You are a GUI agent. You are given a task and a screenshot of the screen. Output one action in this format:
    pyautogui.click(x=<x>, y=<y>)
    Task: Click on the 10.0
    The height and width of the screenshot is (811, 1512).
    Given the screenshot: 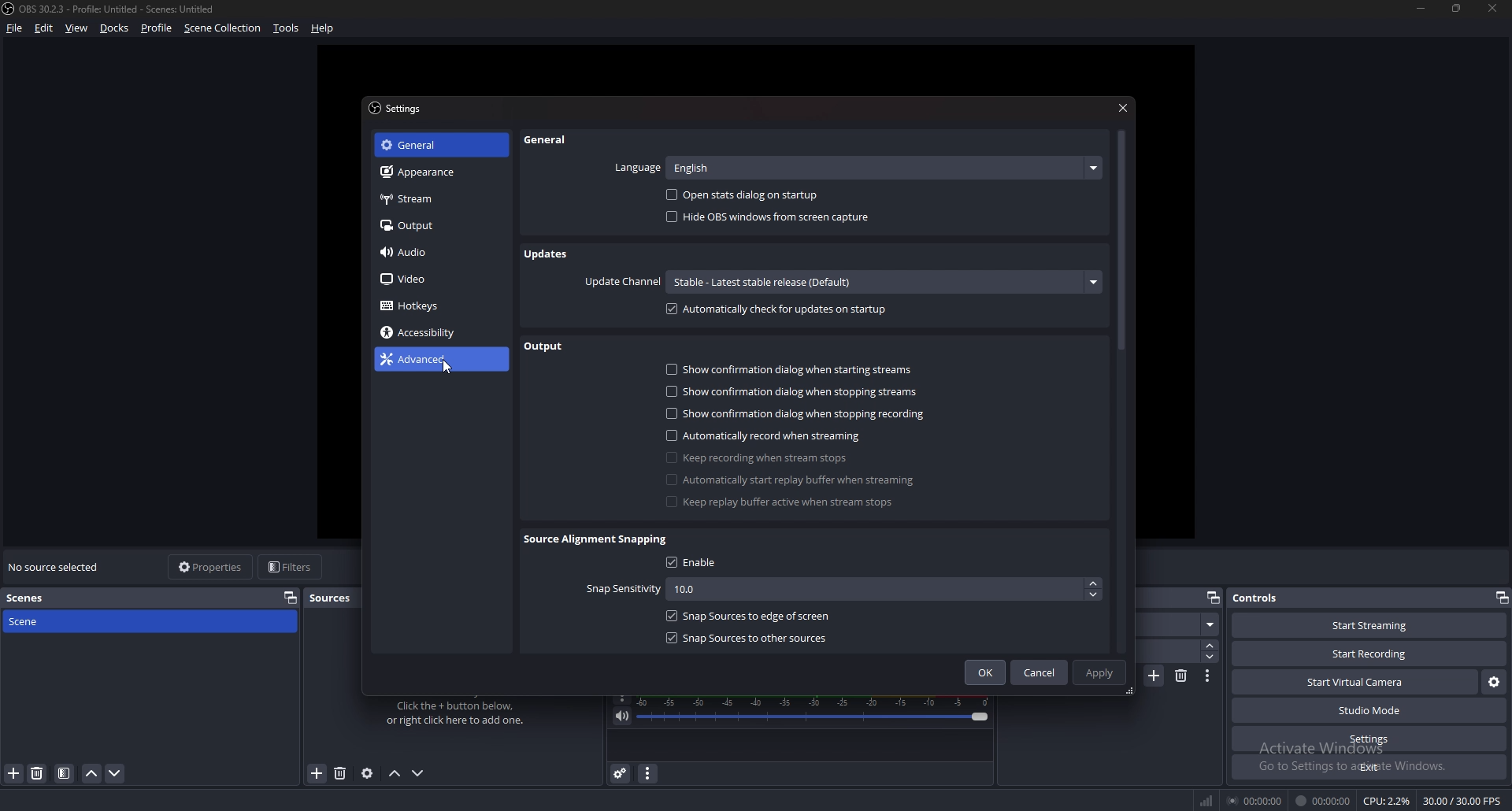 What is the action you would take?
    pyautogui.click(x=886, y=591)
    